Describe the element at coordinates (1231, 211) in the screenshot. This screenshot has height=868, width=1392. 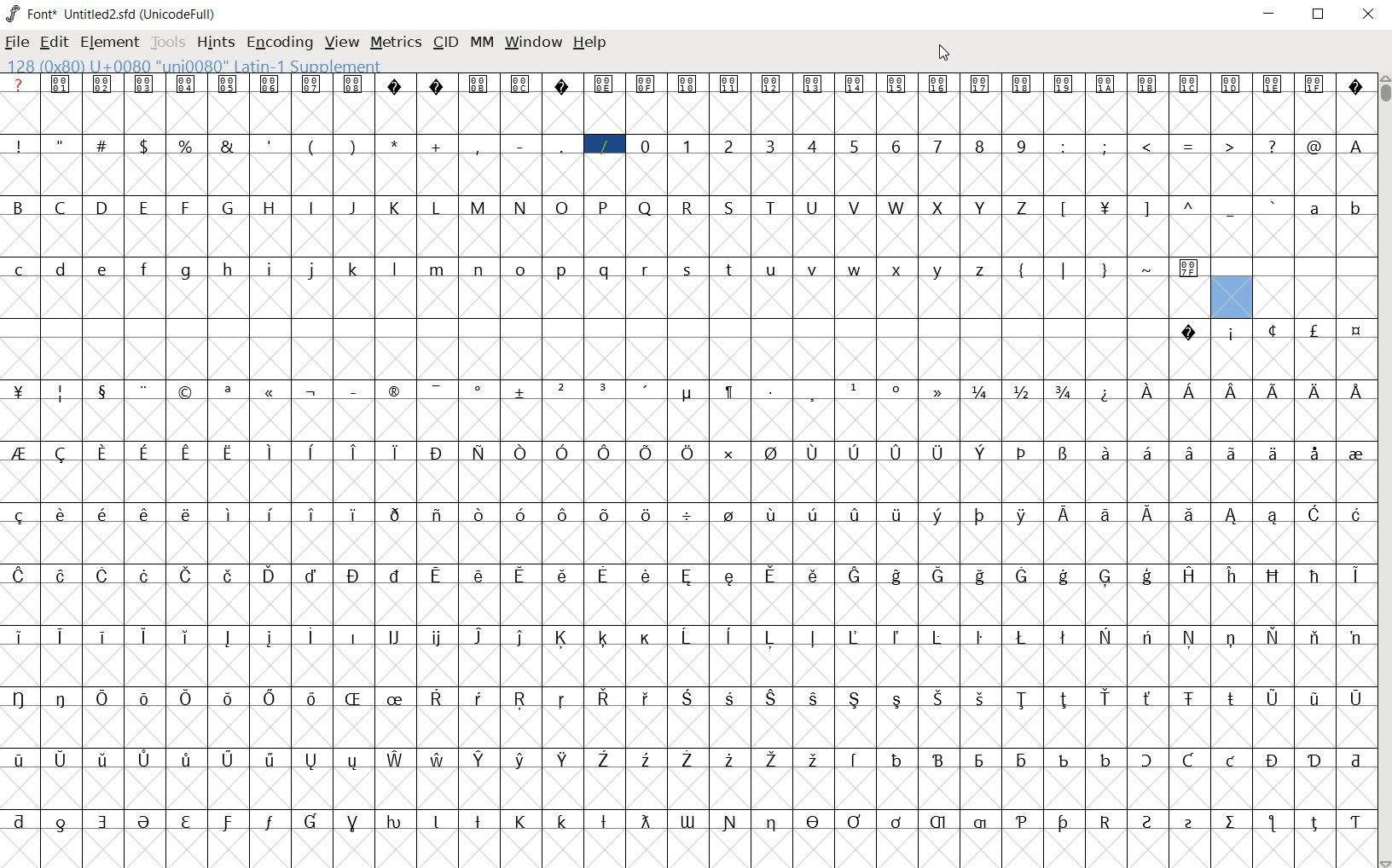
I see `glyph` at that location.